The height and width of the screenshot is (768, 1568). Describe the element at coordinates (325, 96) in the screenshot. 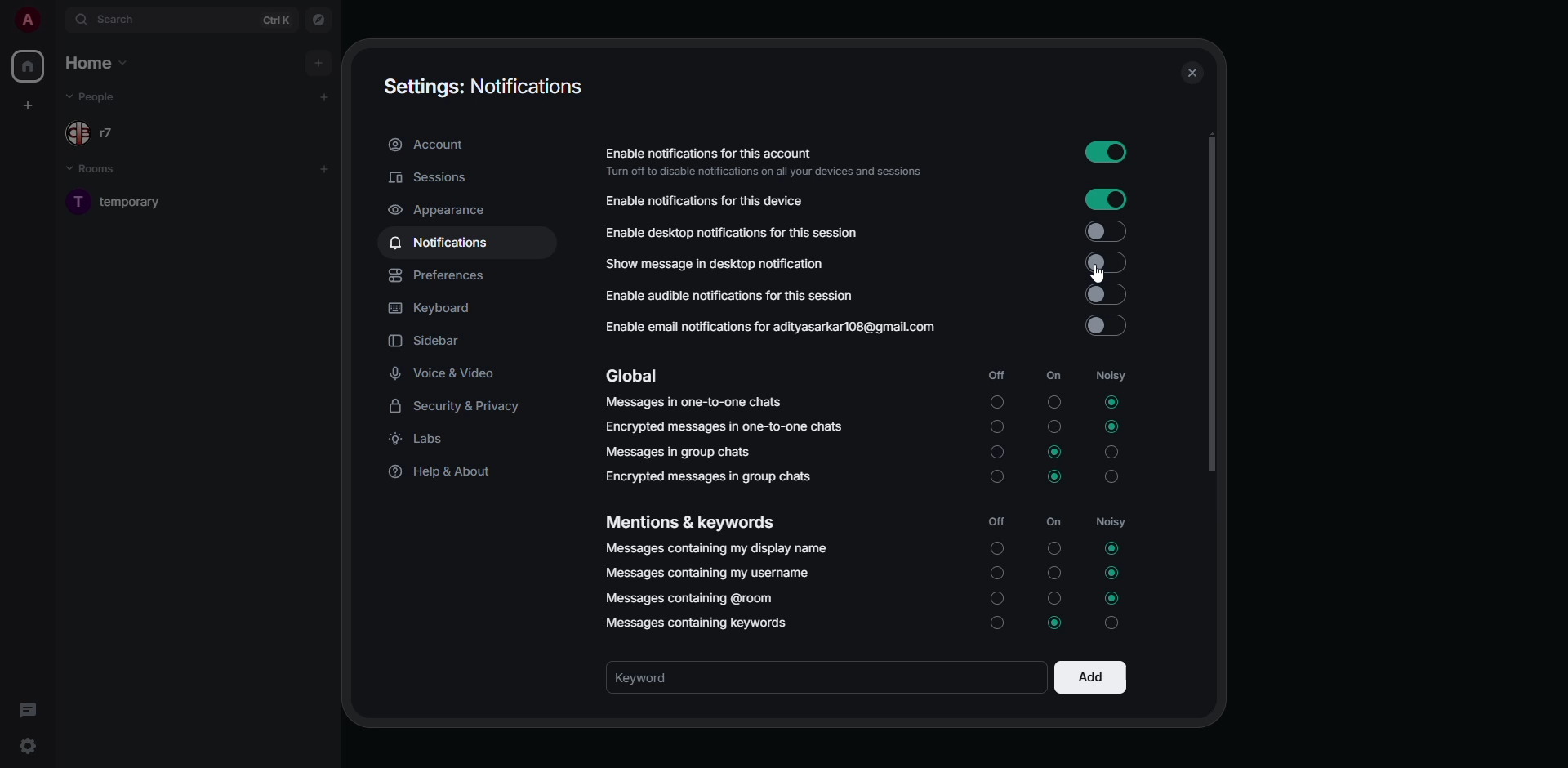

I see `add` at that location.